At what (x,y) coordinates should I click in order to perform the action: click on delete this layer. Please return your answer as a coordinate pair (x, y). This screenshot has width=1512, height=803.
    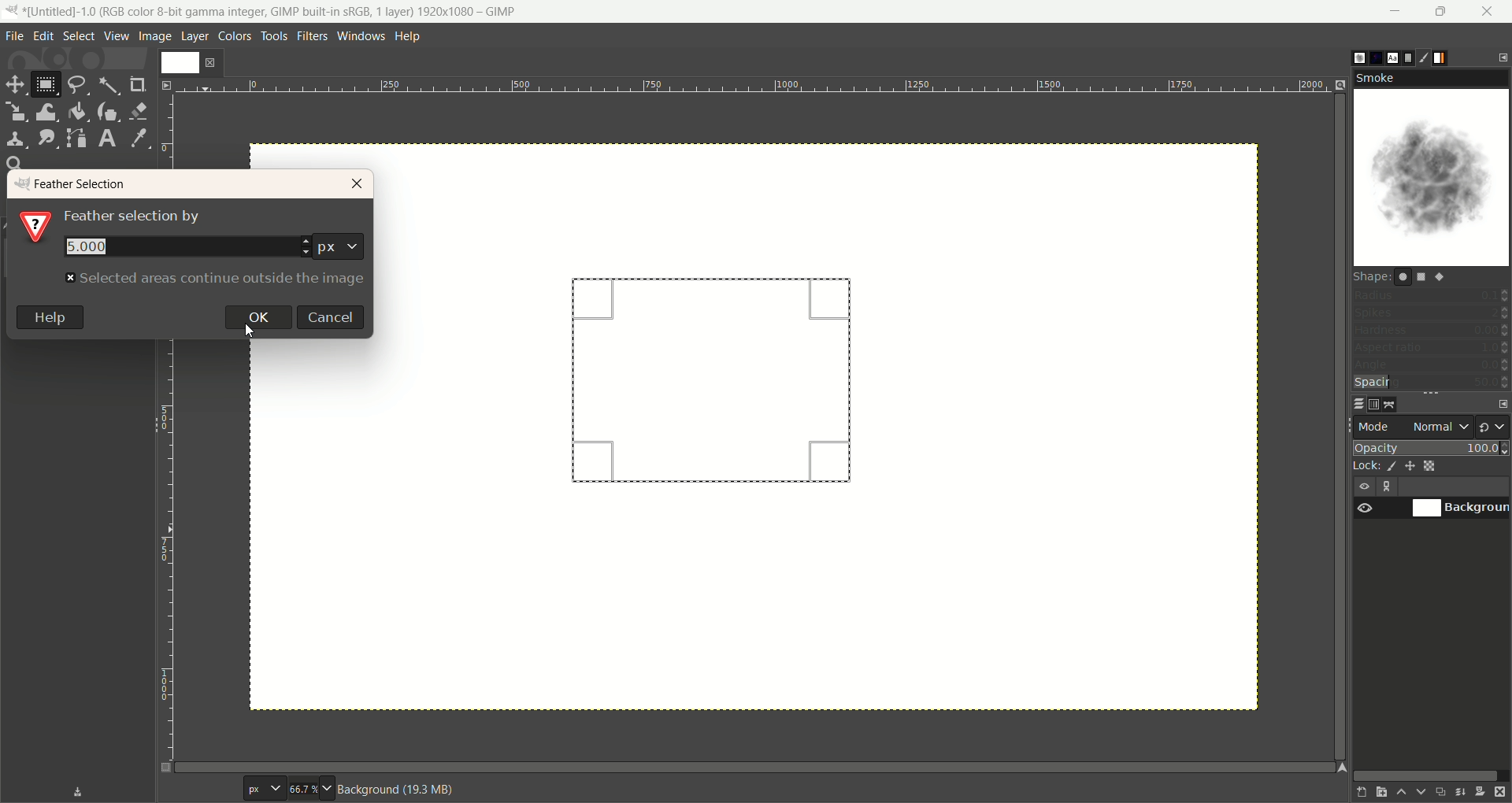
    Looking at the image, I should click on (1501, 793).